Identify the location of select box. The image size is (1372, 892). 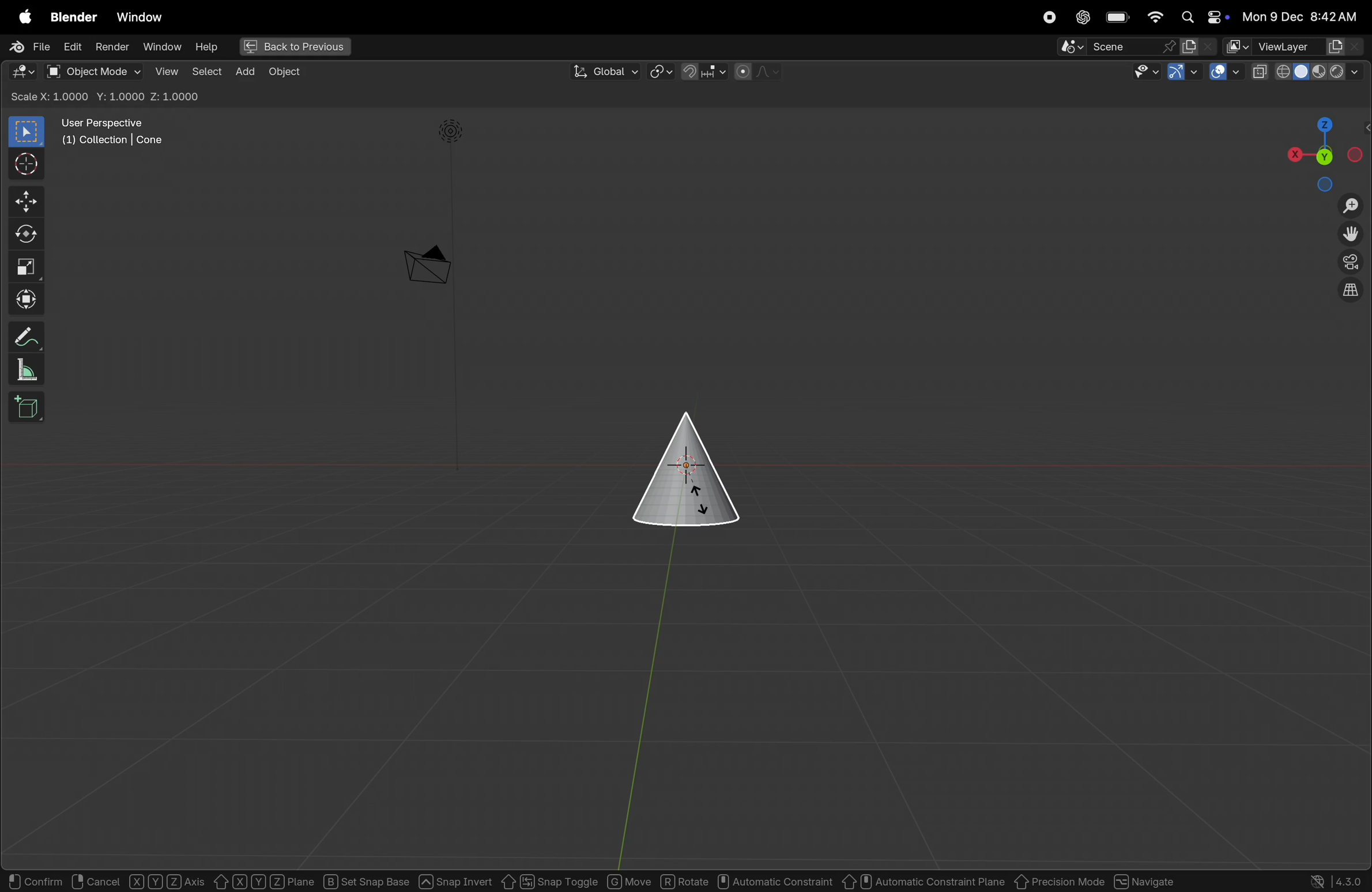
(28, 132).